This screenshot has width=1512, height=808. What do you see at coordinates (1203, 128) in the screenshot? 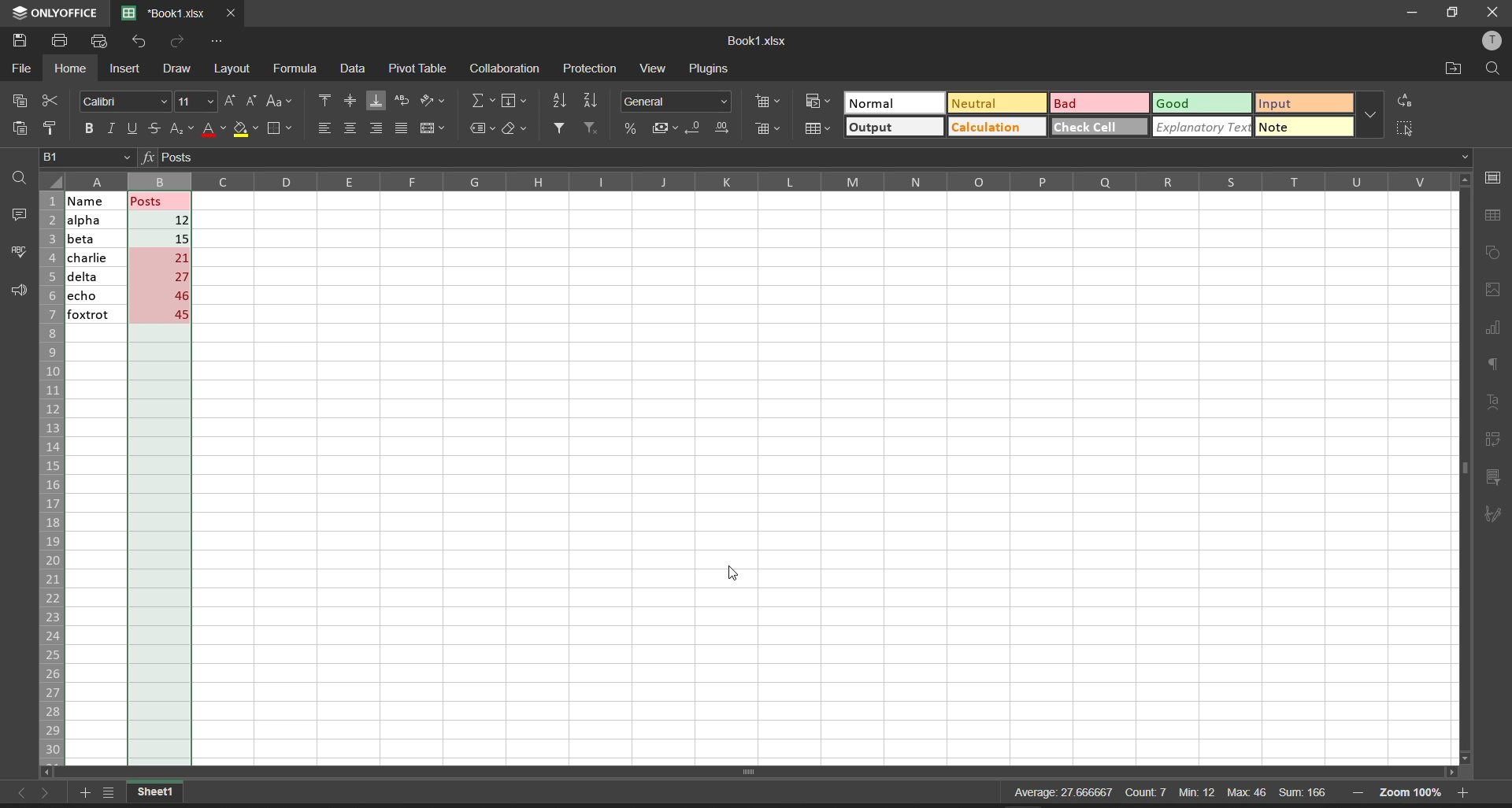
I see `explanatory text` at bounding box center [1203, 128].